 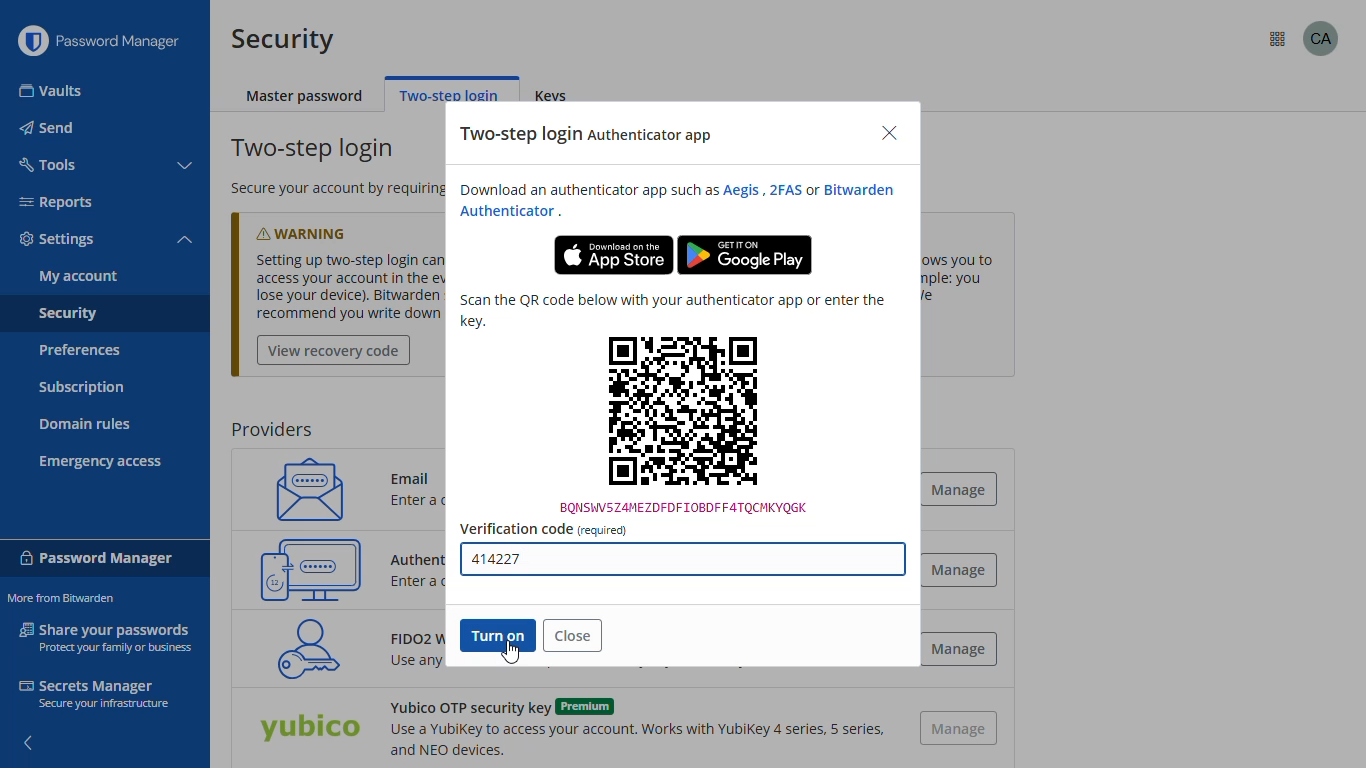 What do you see at coordinates (511, 652) in the screenshot?
I see `cursor` at bounding box center [511, 652].